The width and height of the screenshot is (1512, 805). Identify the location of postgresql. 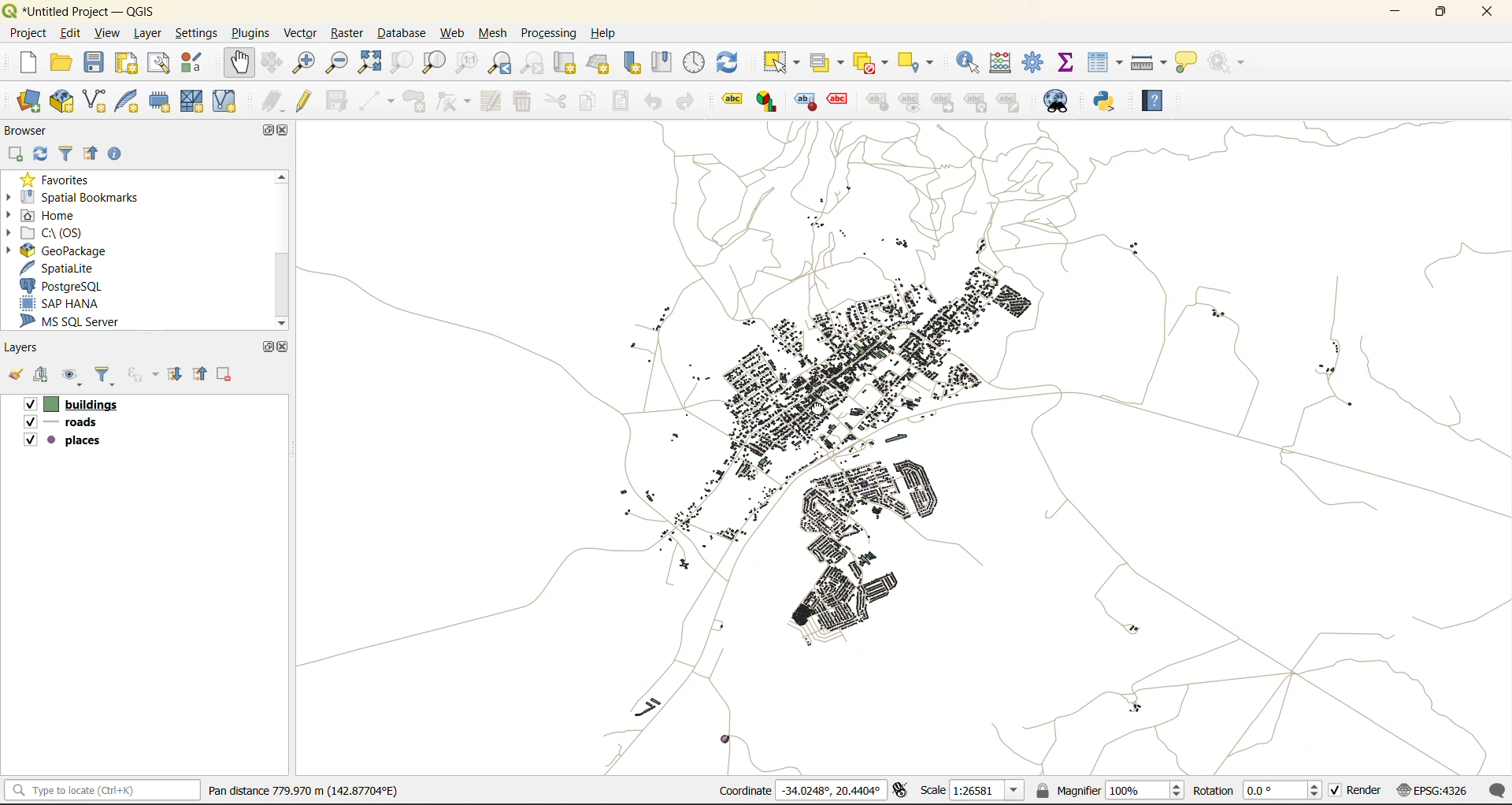
(69, 285).